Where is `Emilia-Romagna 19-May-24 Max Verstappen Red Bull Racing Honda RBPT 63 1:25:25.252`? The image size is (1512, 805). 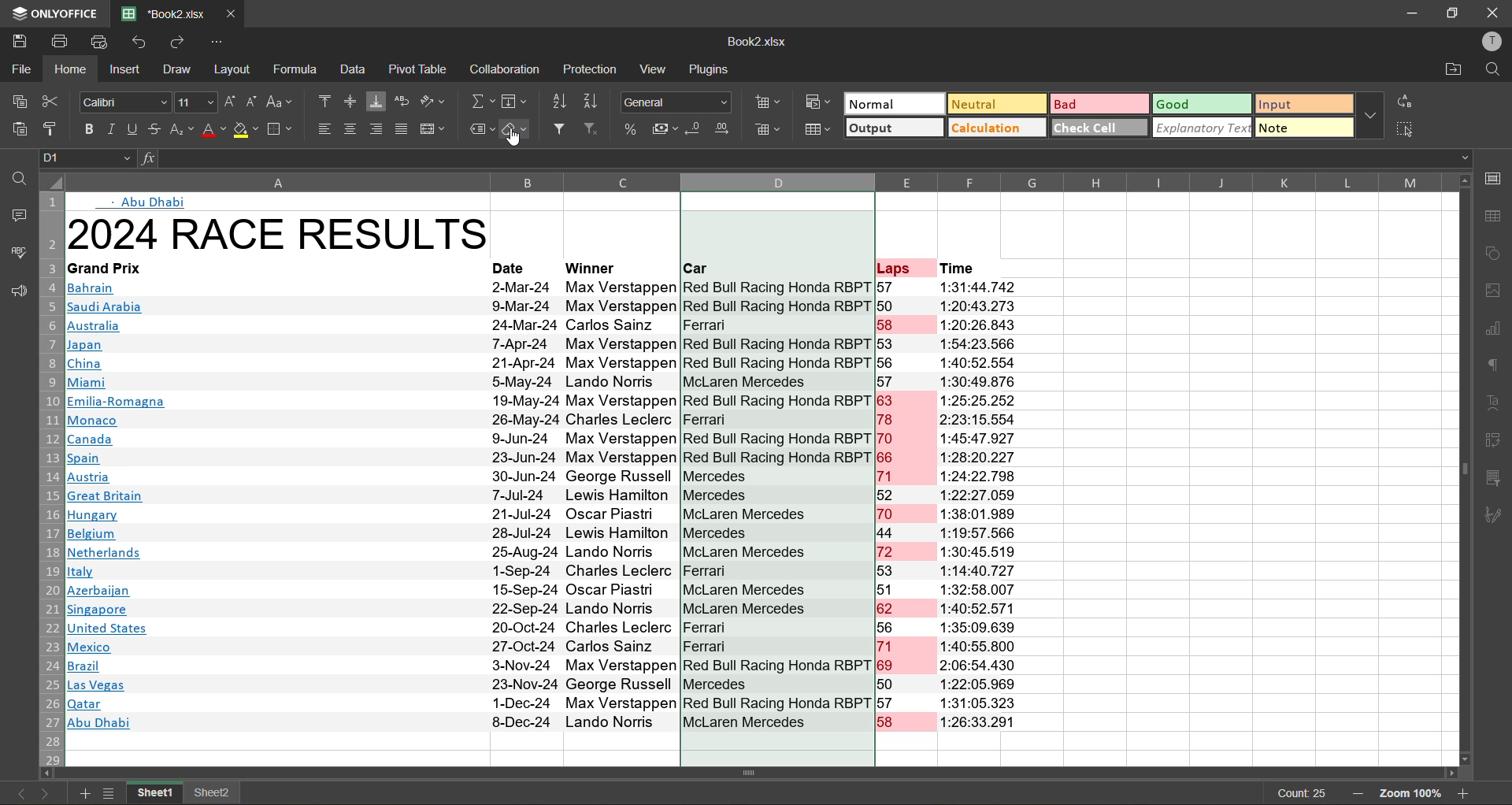
Emilia-Romagna 19-May-24 Max Verstappen Red Bull Racing Honda RBPT 63 1:25:25.252 is located at coordinates (545, 400).